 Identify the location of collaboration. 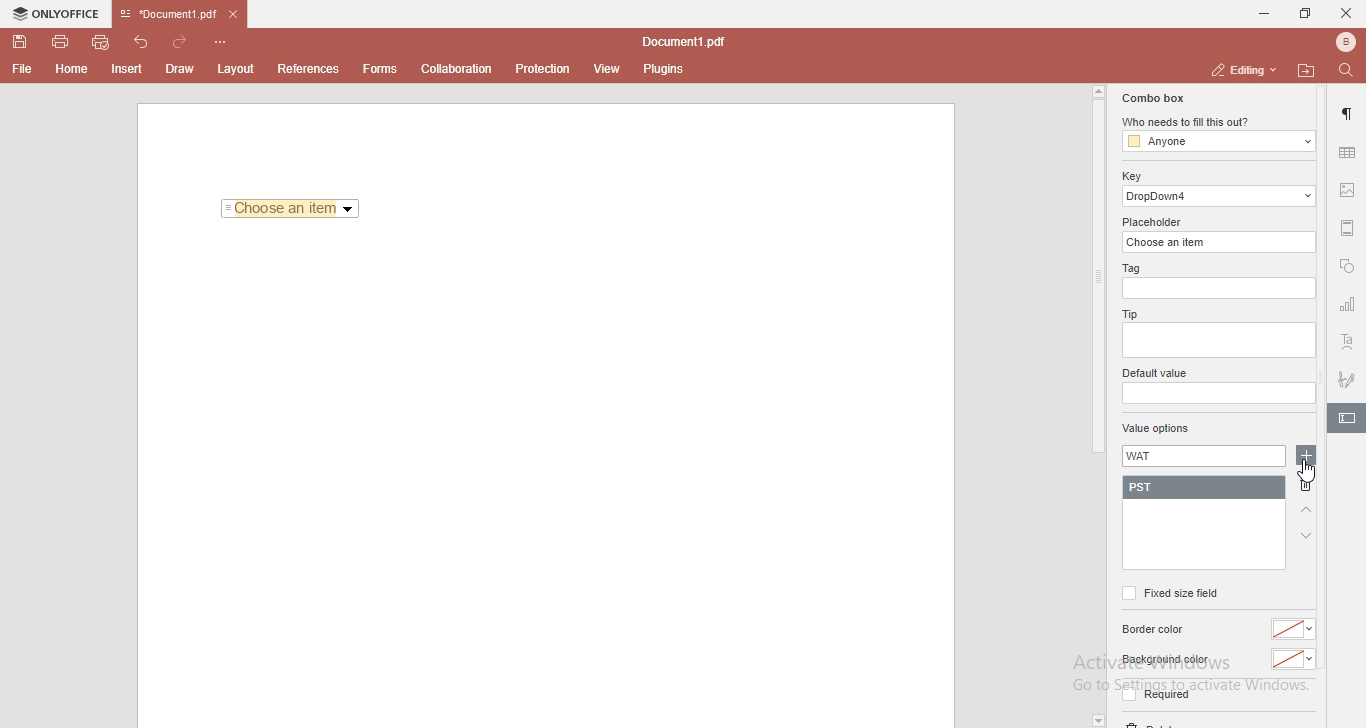
(461, 67).